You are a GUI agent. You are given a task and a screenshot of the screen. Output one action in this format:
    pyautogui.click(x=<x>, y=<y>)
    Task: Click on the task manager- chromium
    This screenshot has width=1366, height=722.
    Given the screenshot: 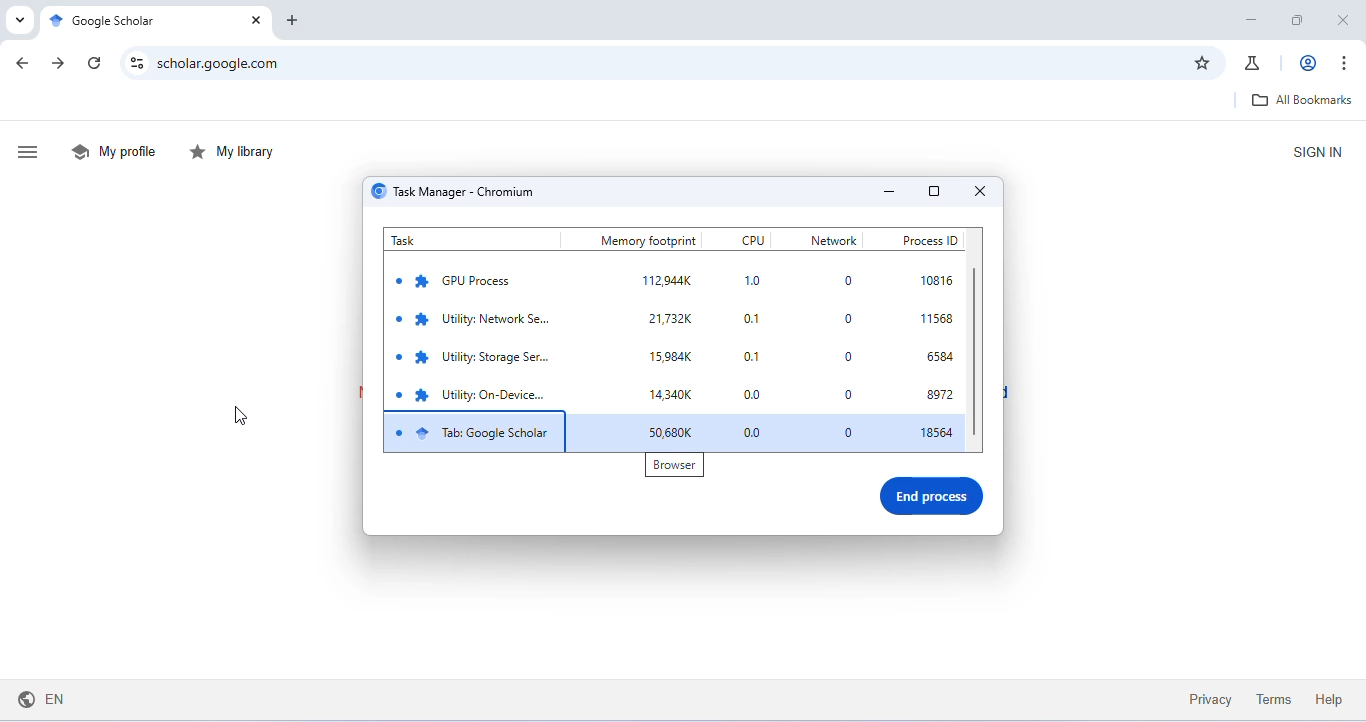 What is the action you would take?
    pyautogui.click(x=458, y=192)
    